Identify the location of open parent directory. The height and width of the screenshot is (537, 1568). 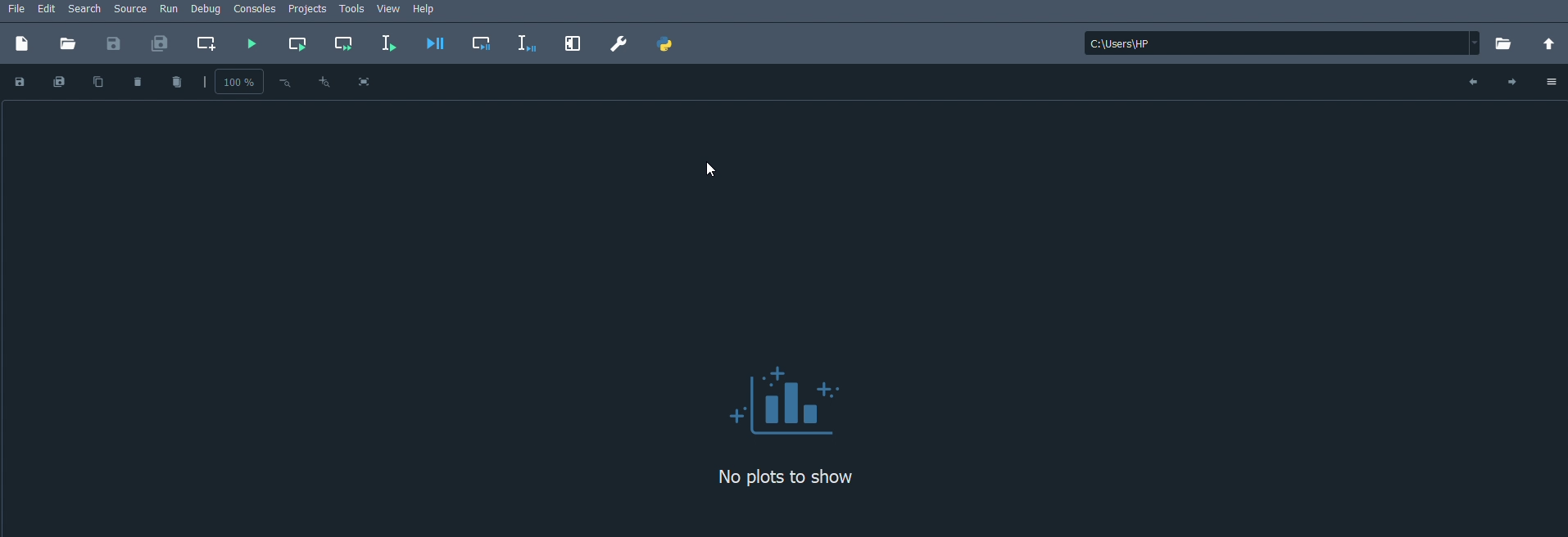
(1552, 44).